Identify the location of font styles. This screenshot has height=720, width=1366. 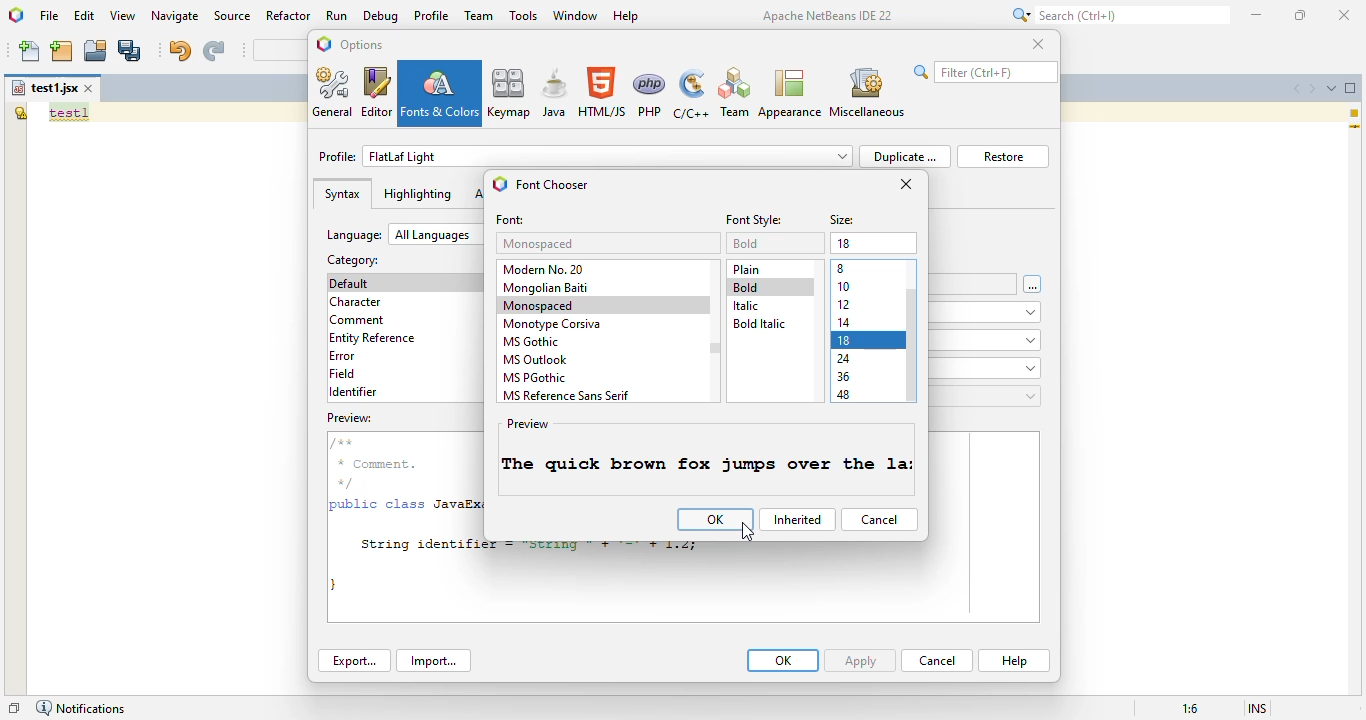
(755, 220).